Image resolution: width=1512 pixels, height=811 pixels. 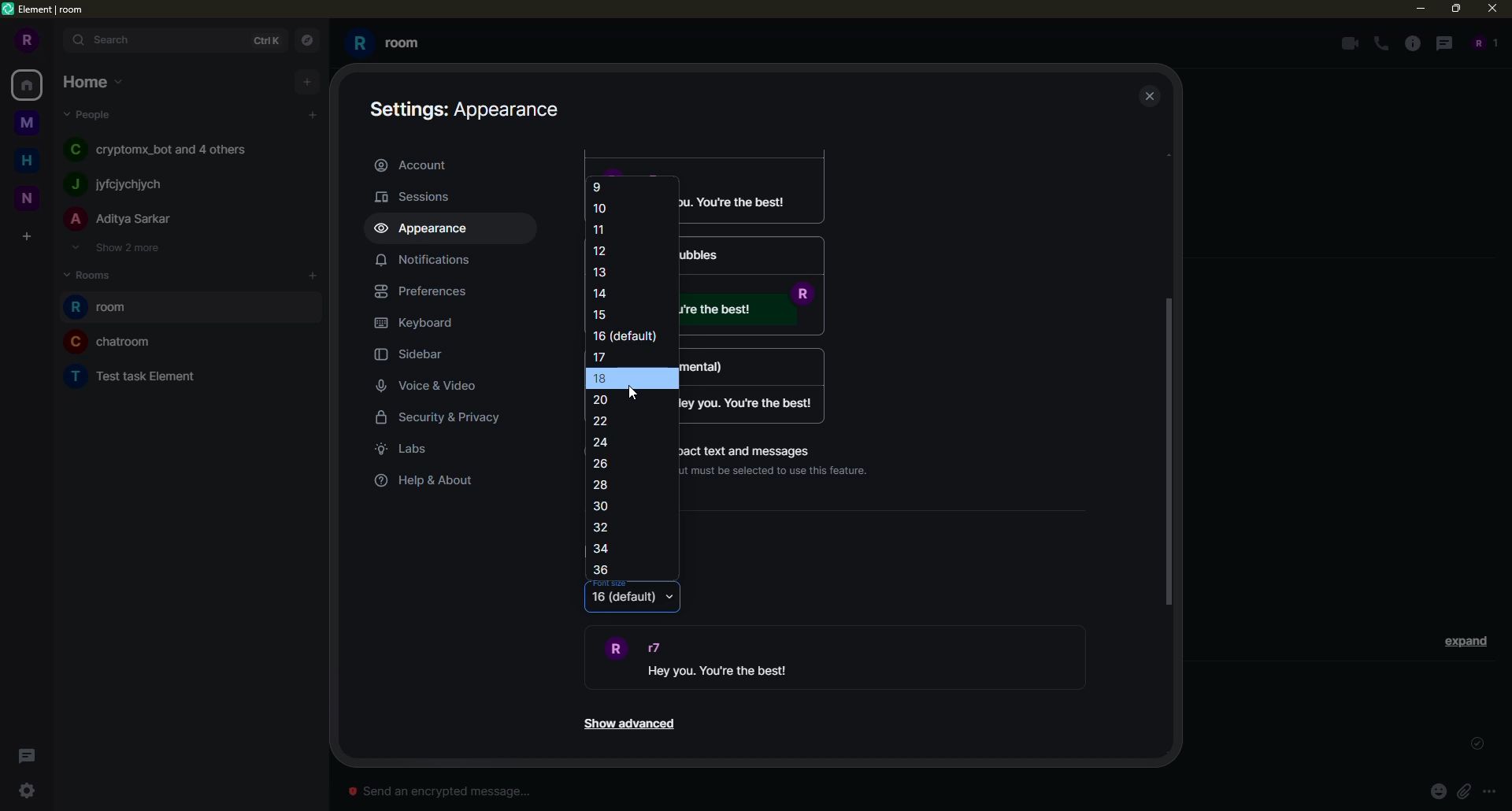 I want to click on labs, so click(x=406, y=449).